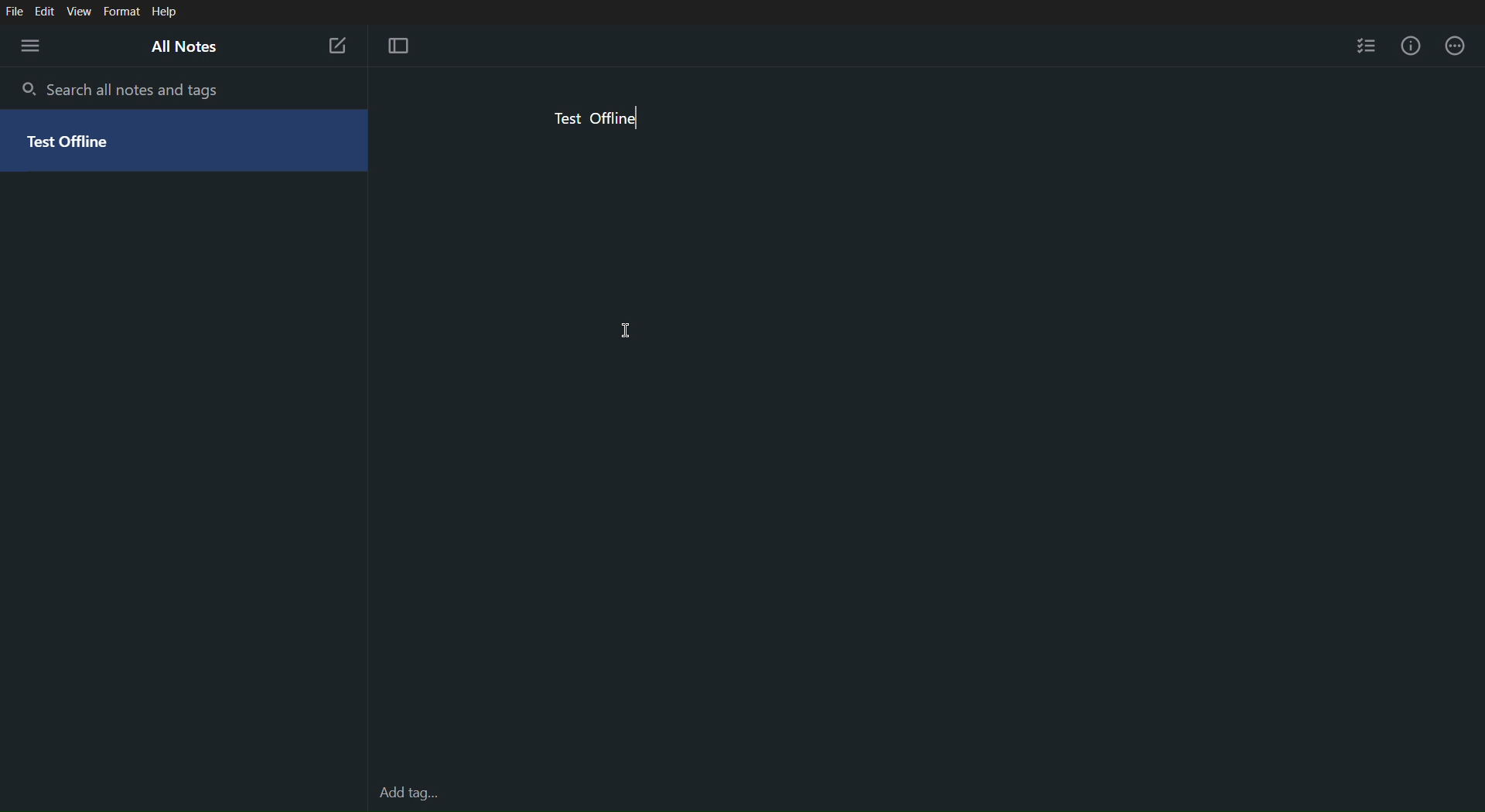 This screenshot has height=812, width=1485. I want to click on View, so click(81, 10).